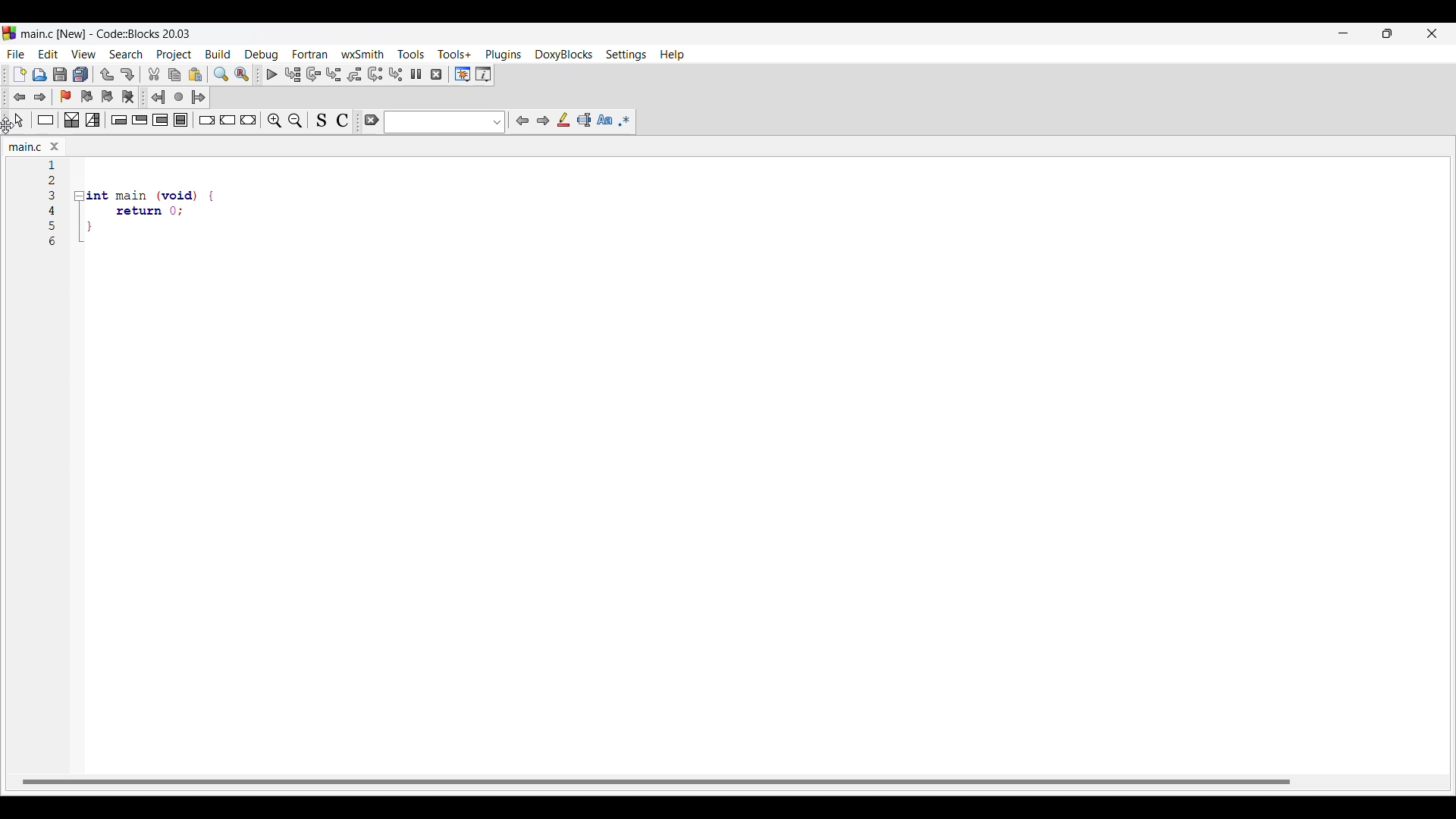  What do you see at coordinates (262, 55) in the screenshot?
I see `Debug menu` at bounding box center [262, 55].